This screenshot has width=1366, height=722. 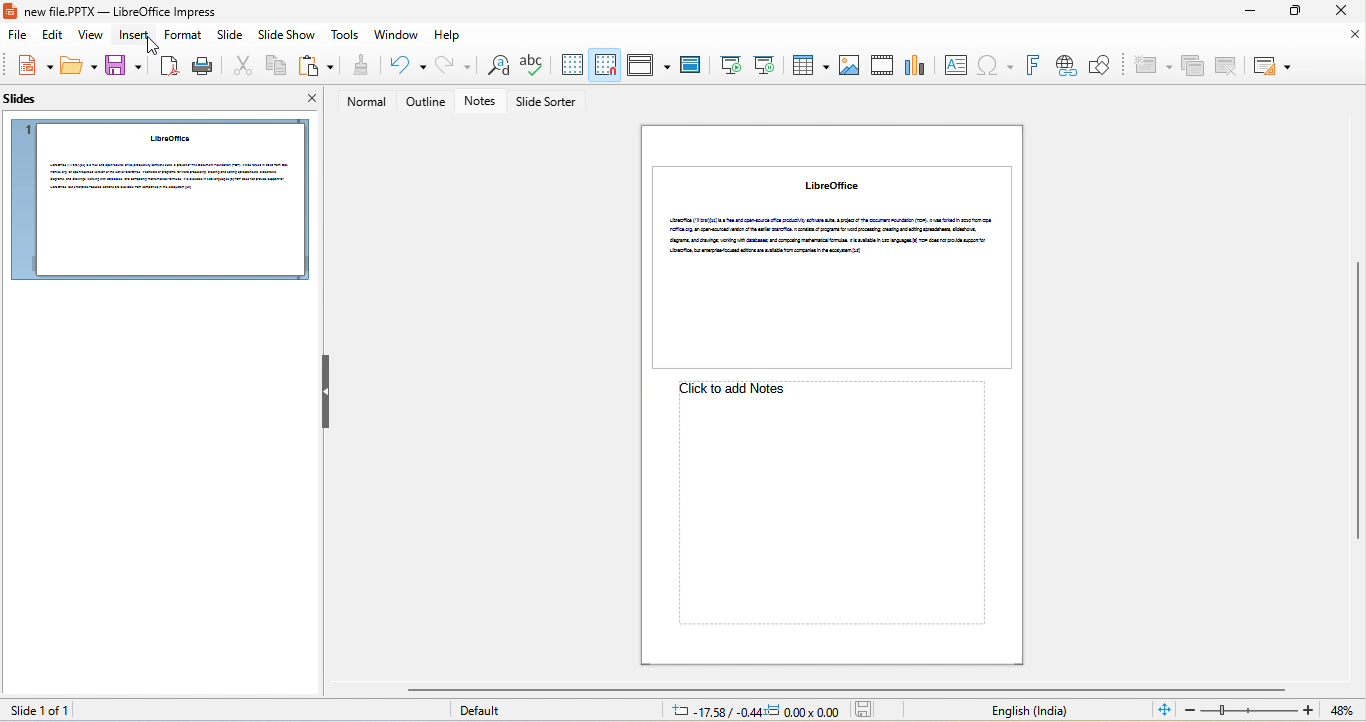 What do you see at coordinates (116, 11) in the screenshot?
I see ` new file.PPTX — LibreOffice Impress` at bounding box center [116, 11].